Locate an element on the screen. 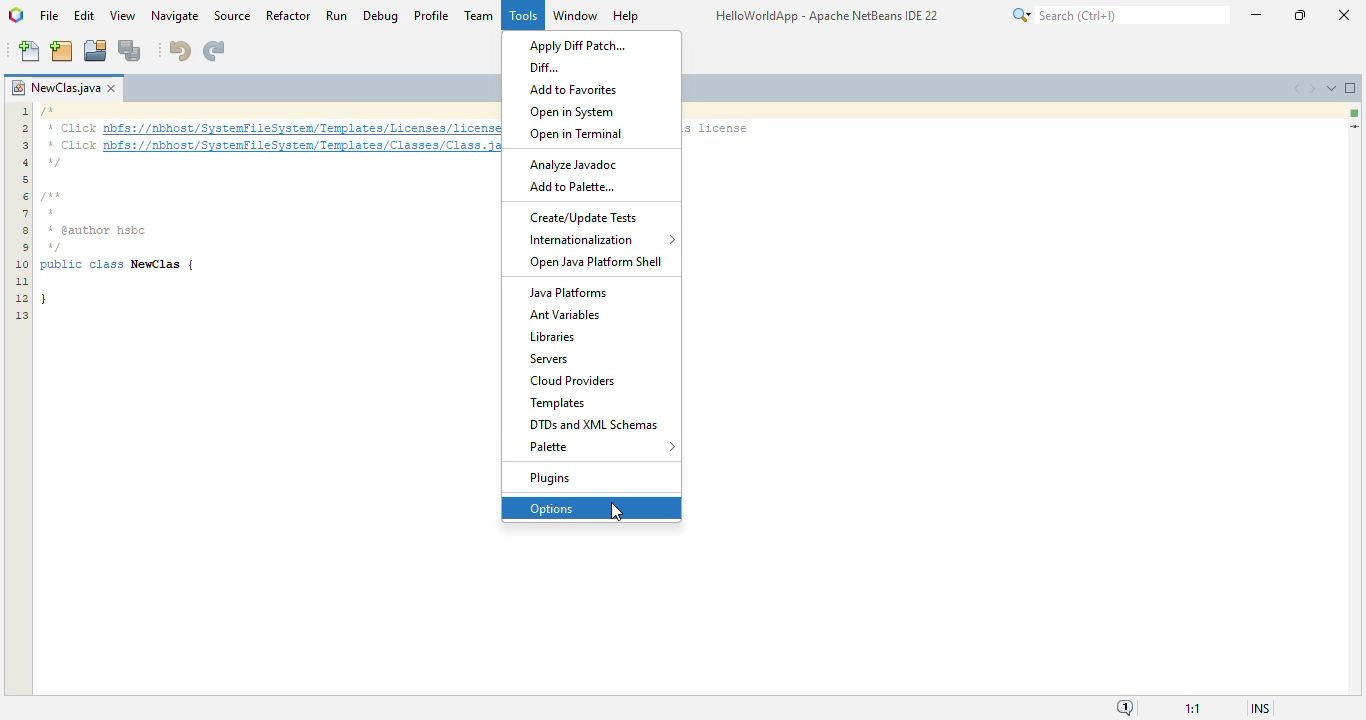  text is located at coordinates (721, 131).